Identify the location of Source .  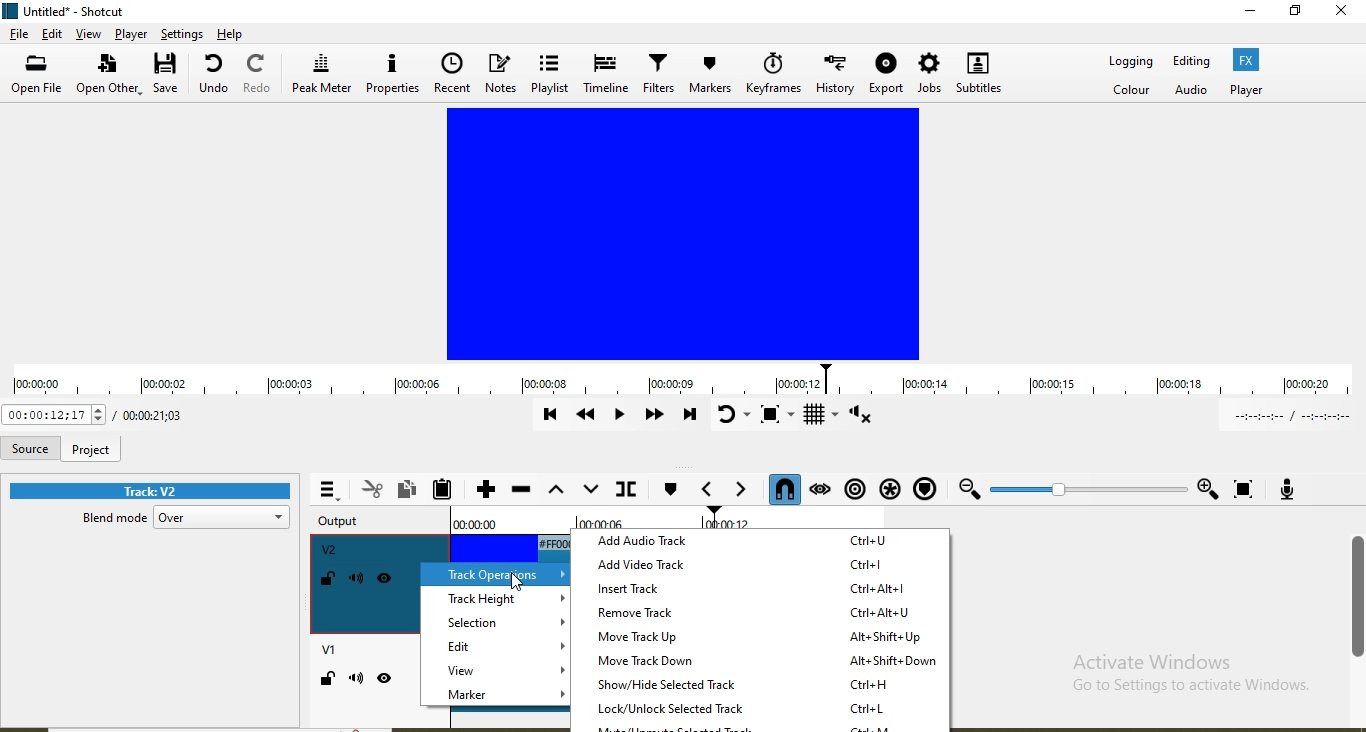
(29, 449).